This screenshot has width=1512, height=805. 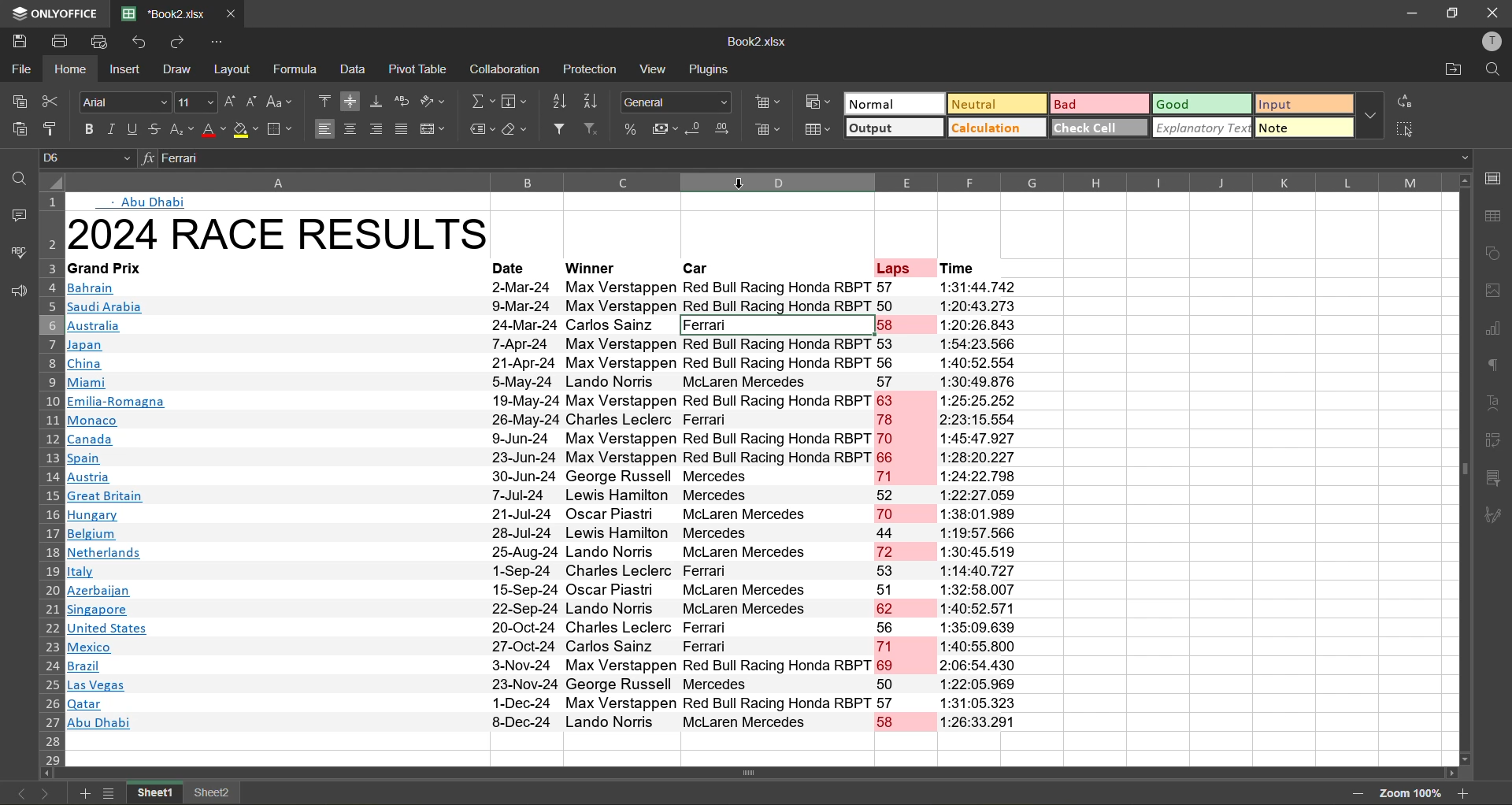 I want to click on comments, so click(x=16, y=218).